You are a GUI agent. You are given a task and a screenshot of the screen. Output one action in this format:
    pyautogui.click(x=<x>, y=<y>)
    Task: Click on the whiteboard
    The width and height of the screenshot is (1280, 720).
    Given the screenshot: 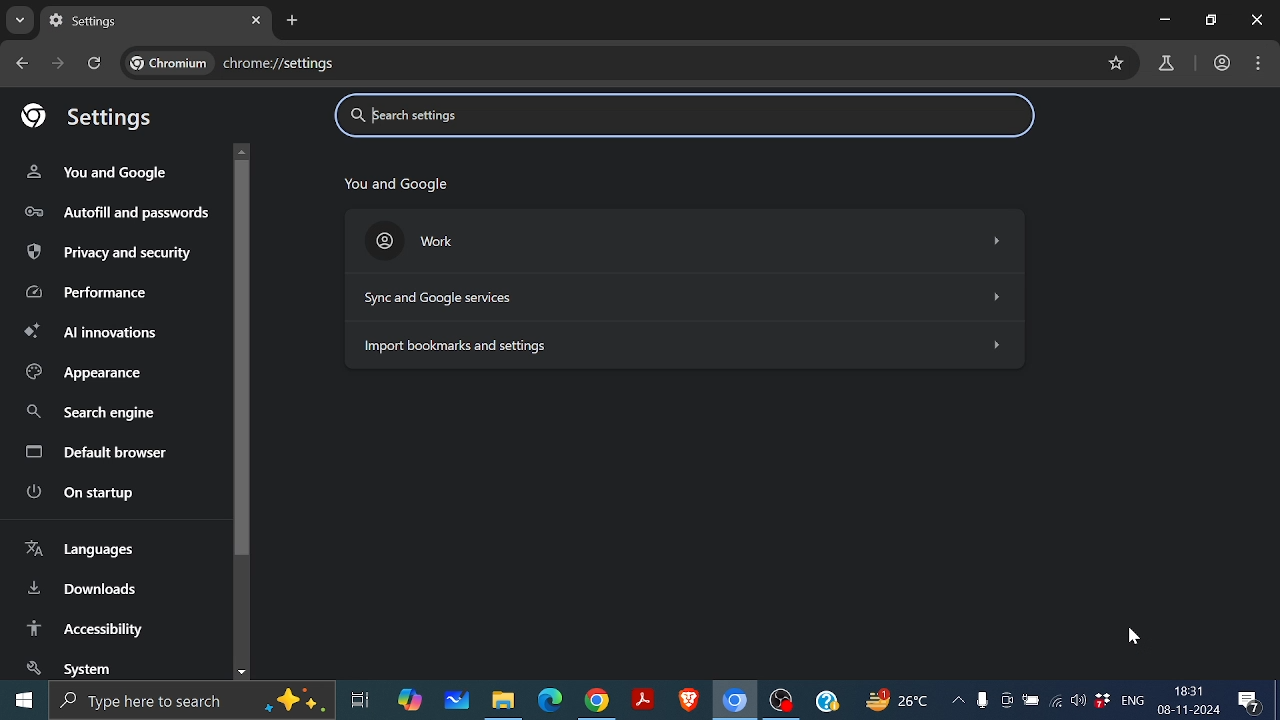 What is the action you would take?
    pyautogui.click(x=457, y=701)
    